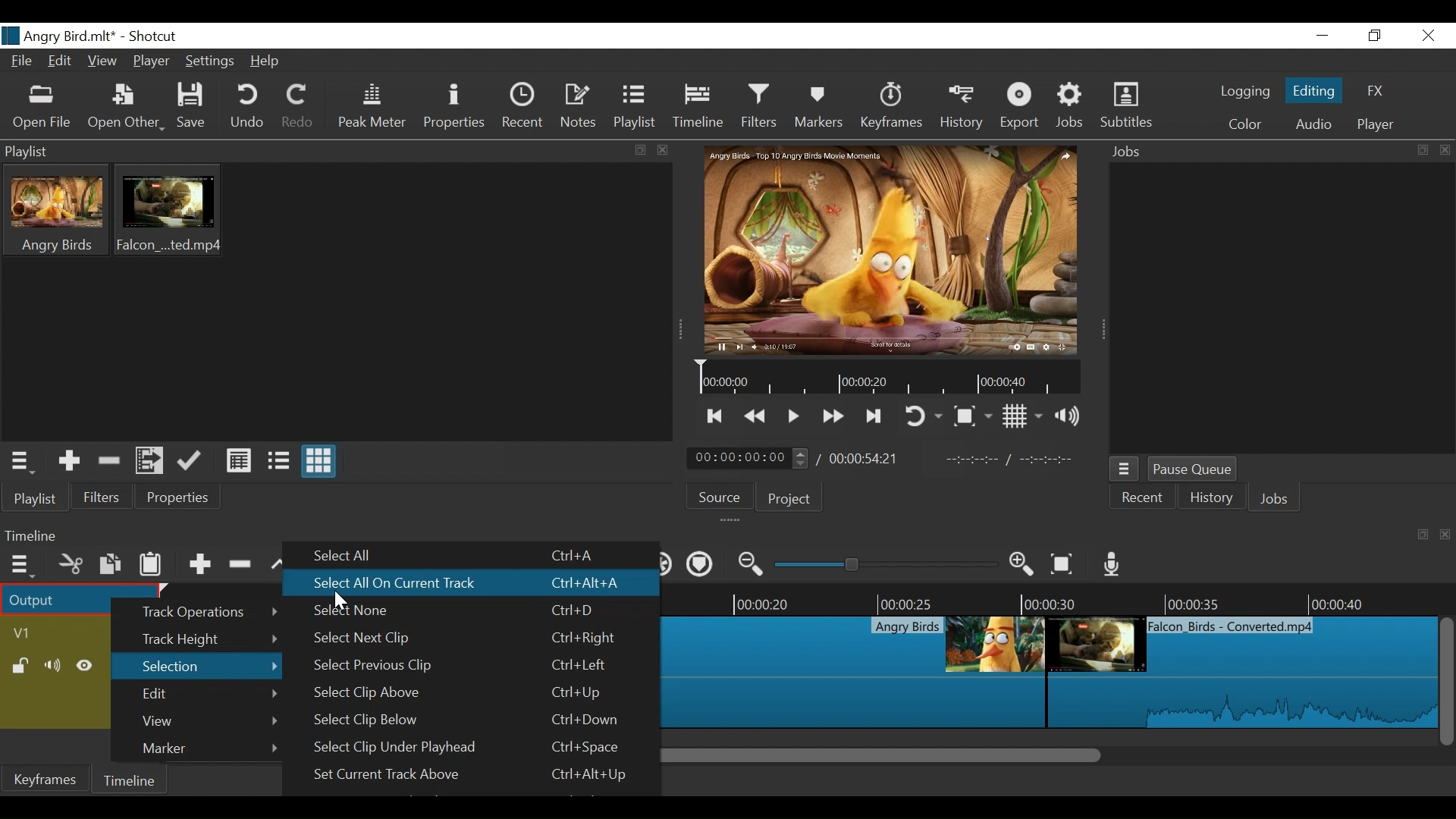 This screenshot has height=819, width=1456. I want to click on tIMELINE, so click(886, 378).